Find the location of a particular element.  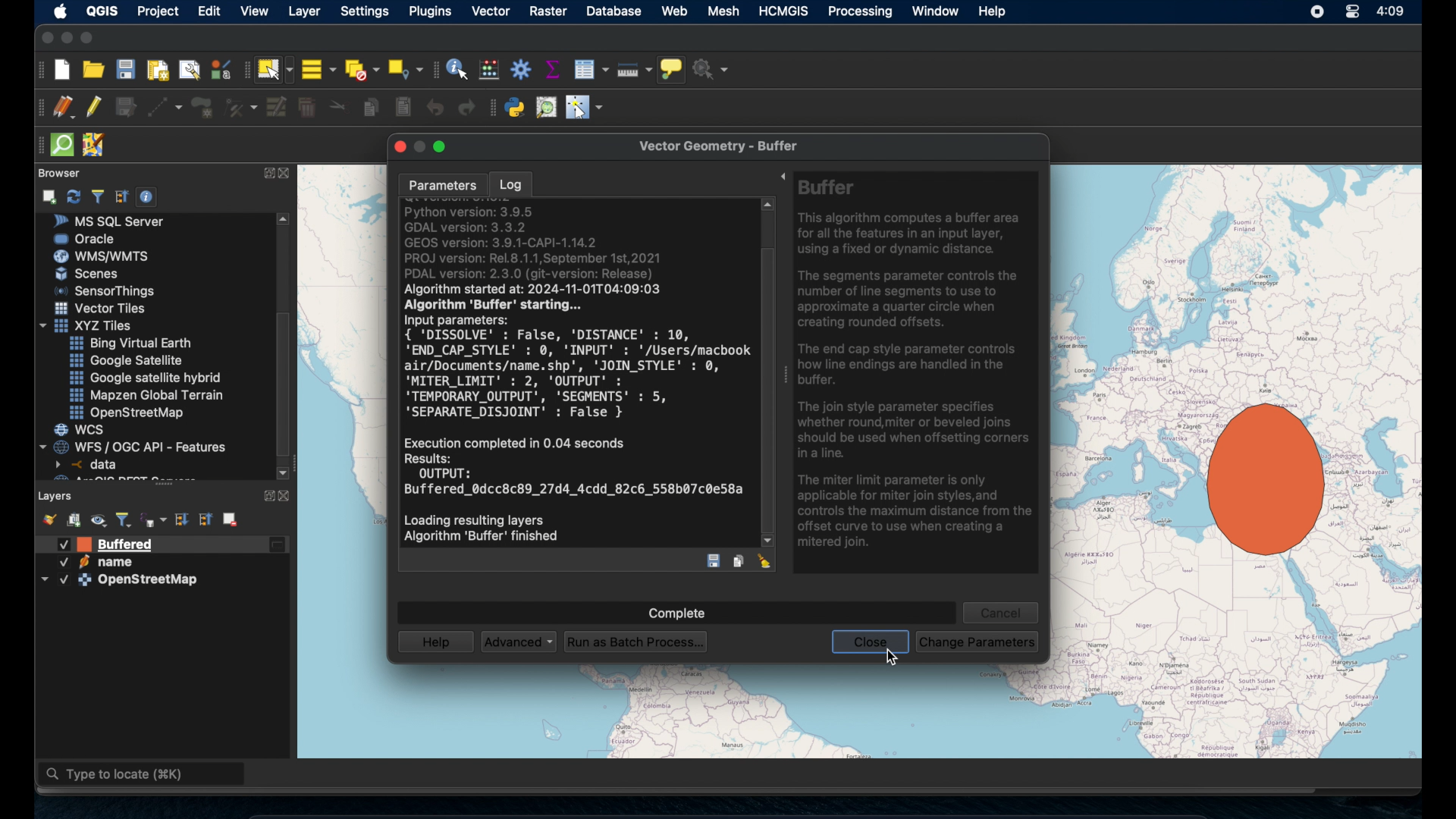

scroll down arrow is located at coordinates (770, 542).